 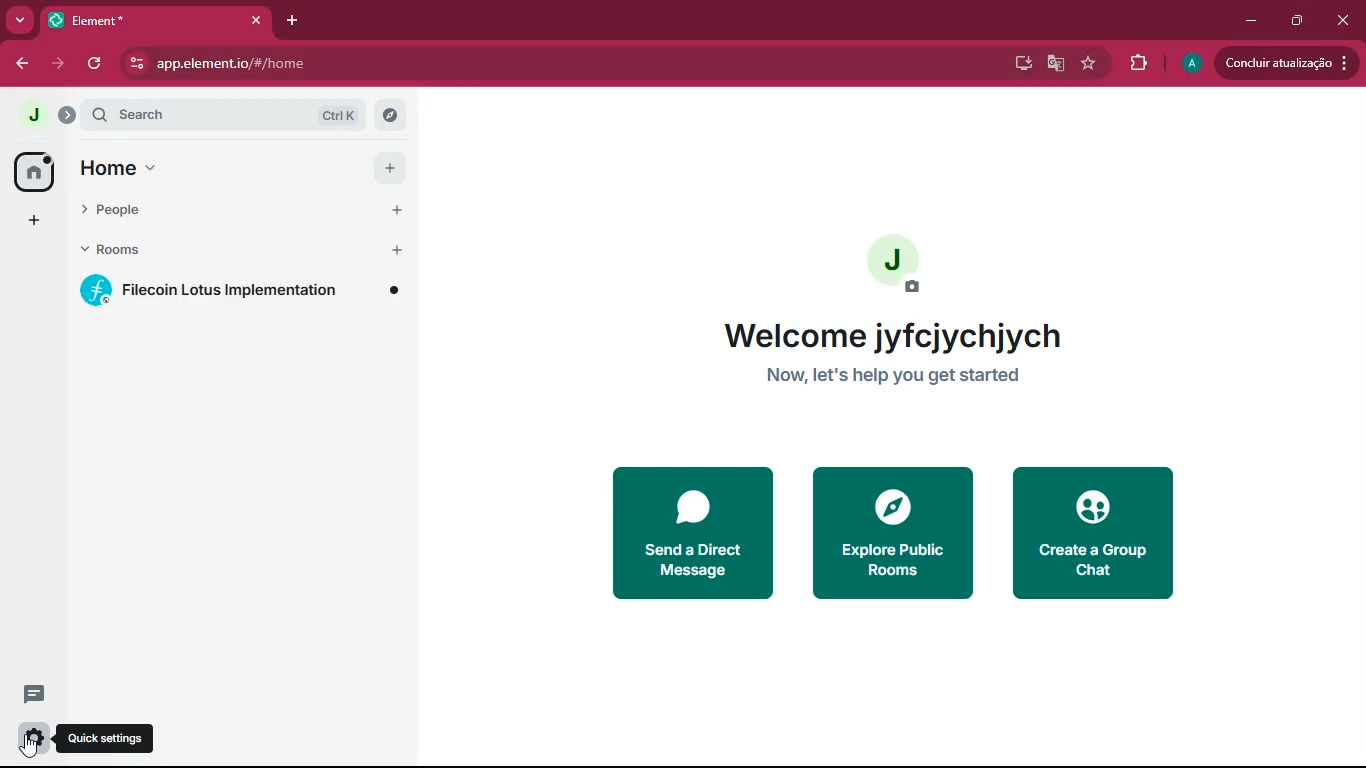 I want to click on quick settings, so click(x=36, y=737).